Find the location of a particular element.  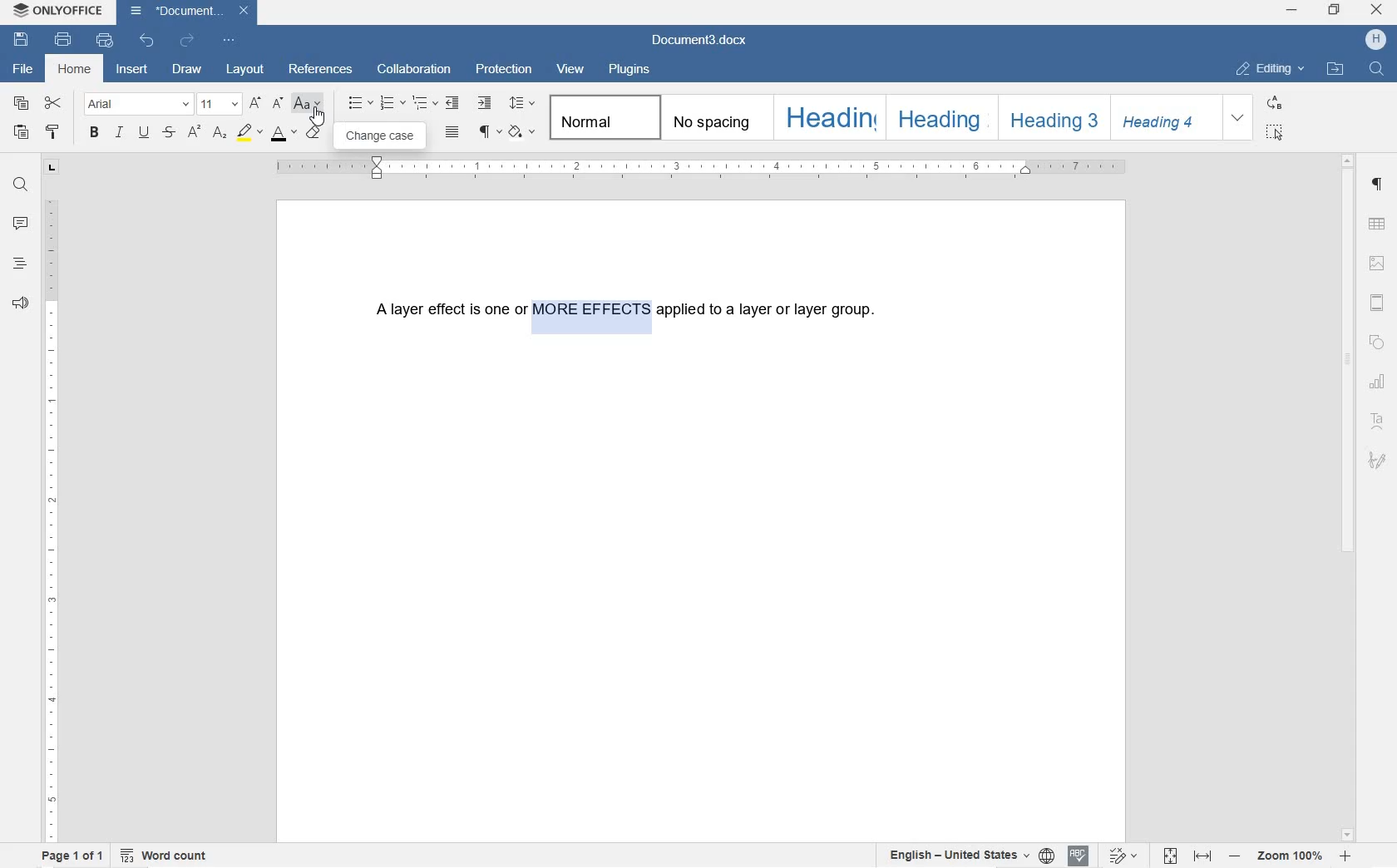

PAGE 1 OF 1 is located at coordinates (72, 856).